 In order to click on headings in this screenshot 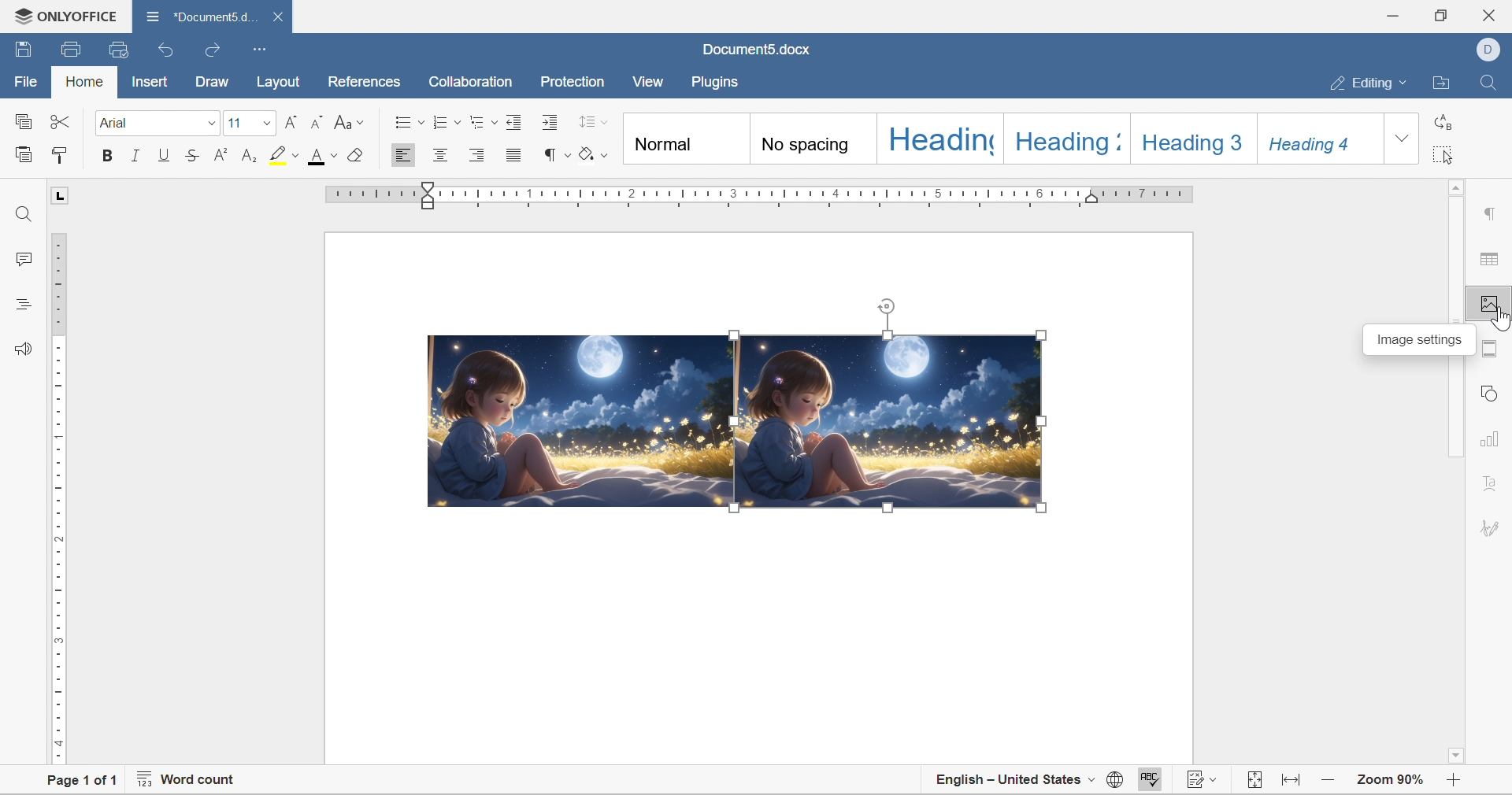, I will do `click(23, 305)`.